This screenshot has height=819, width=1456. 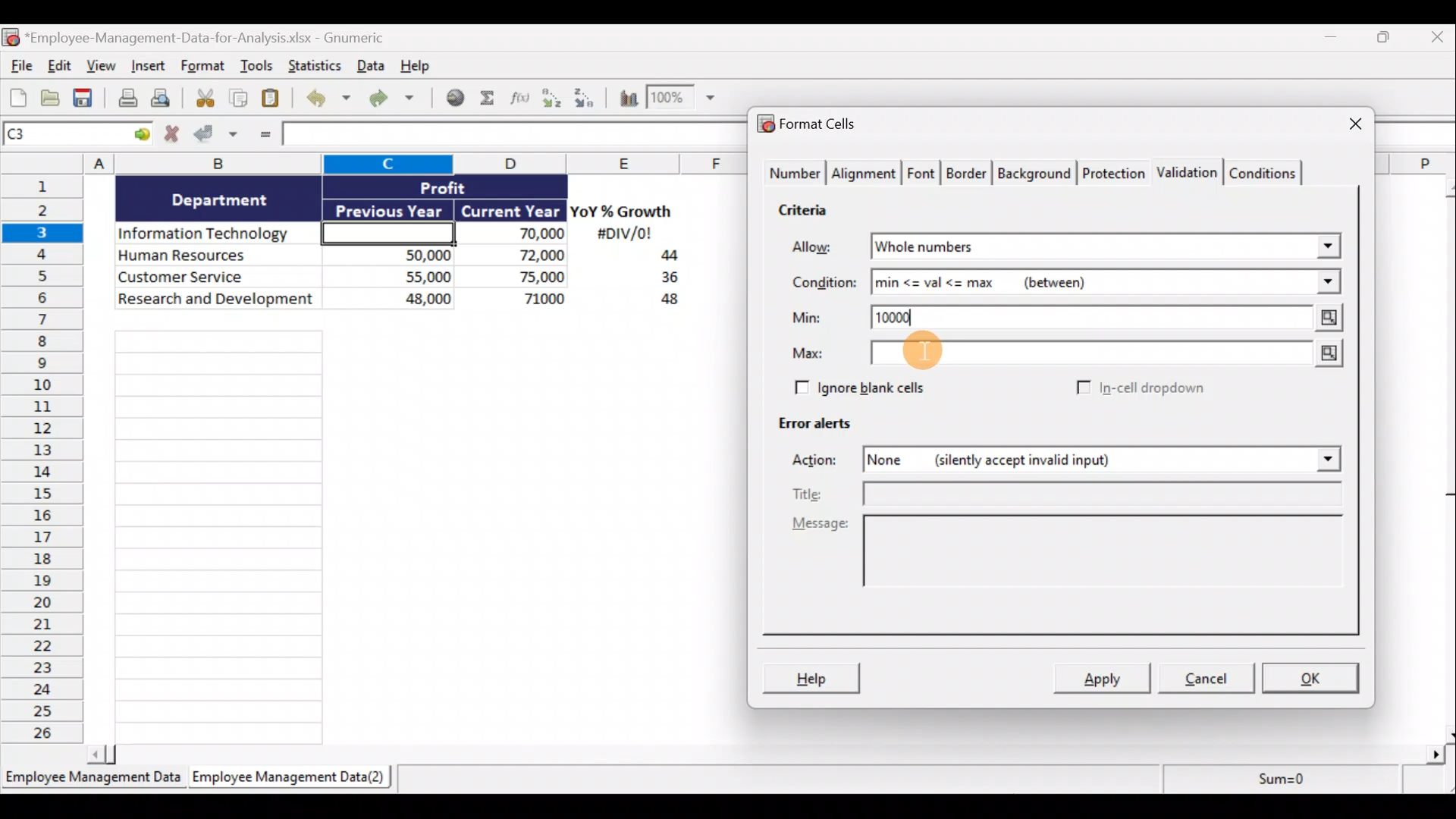 I want to click on Information Technology, so click(x=218, y=234).